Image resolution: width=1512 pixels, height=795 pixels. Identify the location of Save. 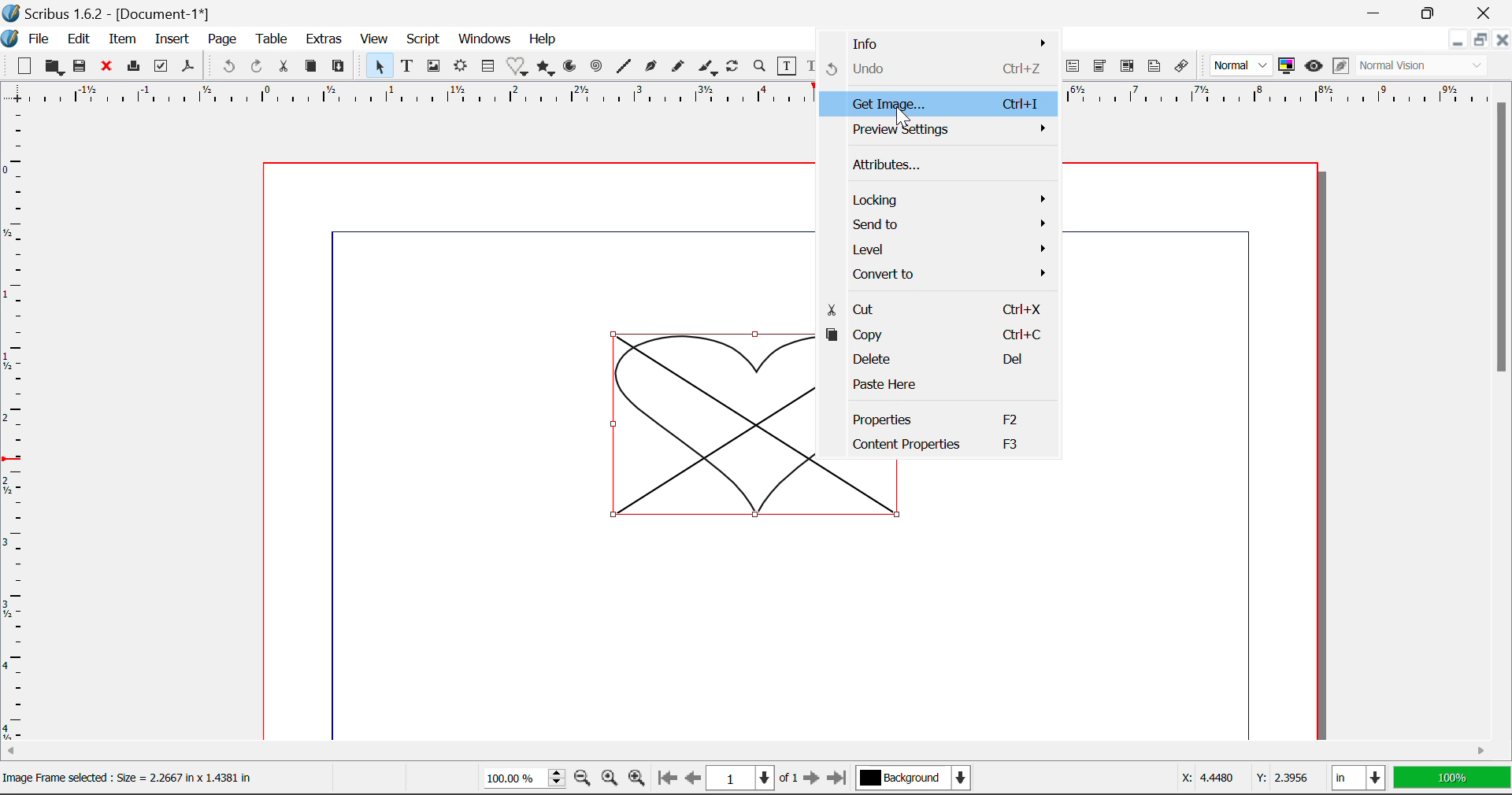
(84, 68).